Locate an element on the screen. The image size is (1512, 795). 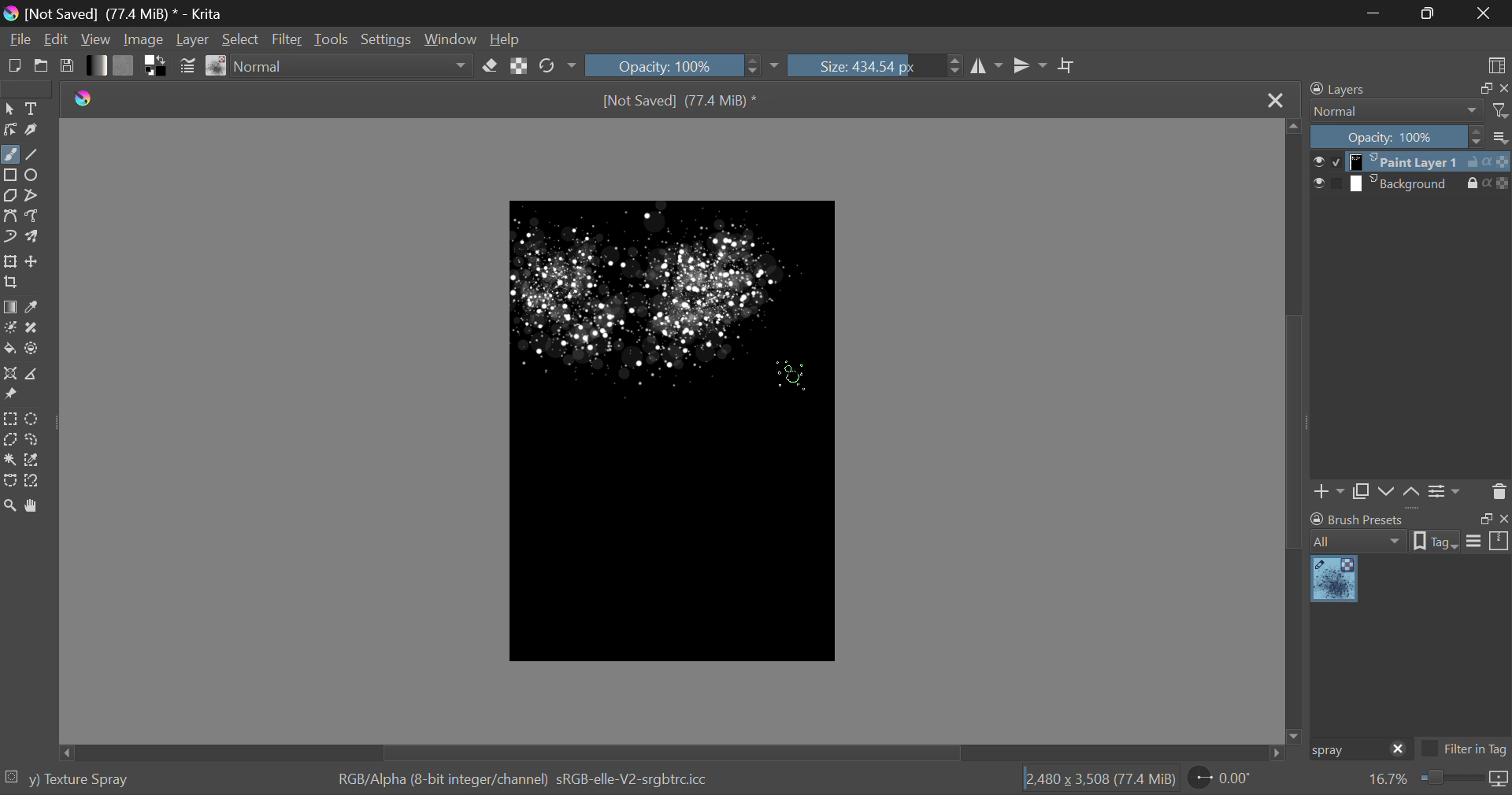
Choose Workspace is located at coordinates (1496, 65).